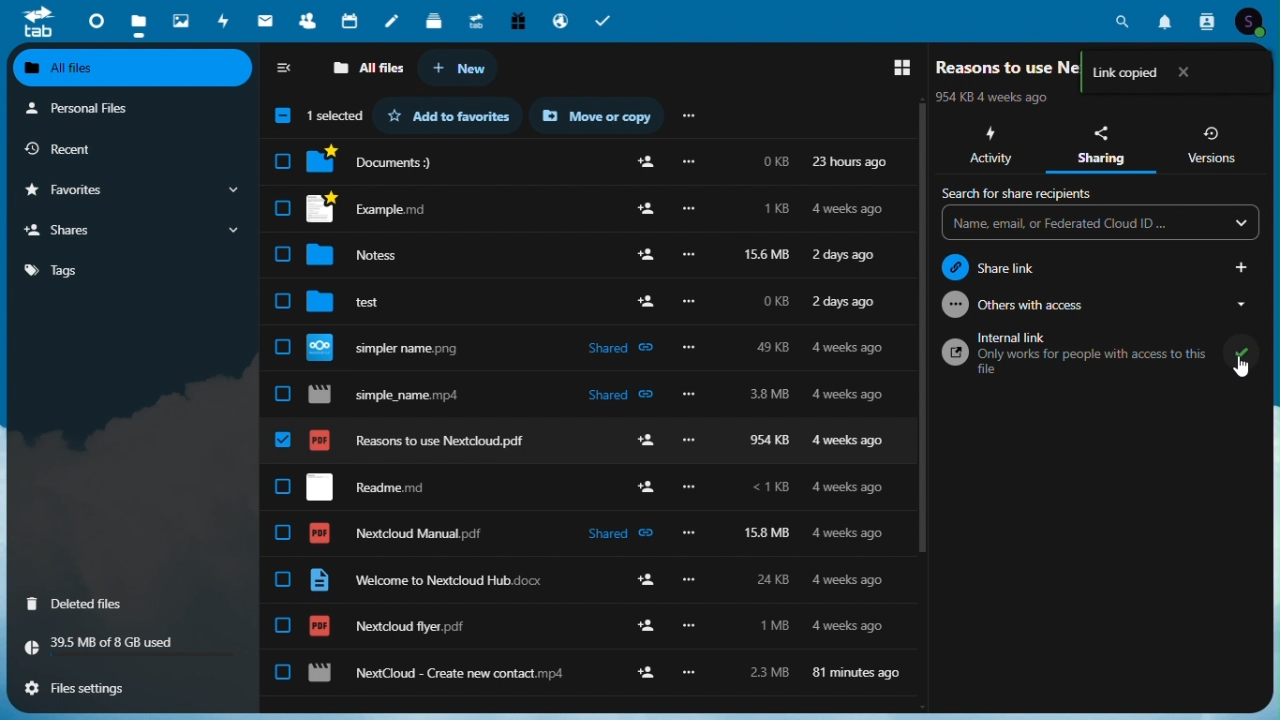 The width and height of the screenshot is (1280, 720). I want to click on all files, so click(370, 68).